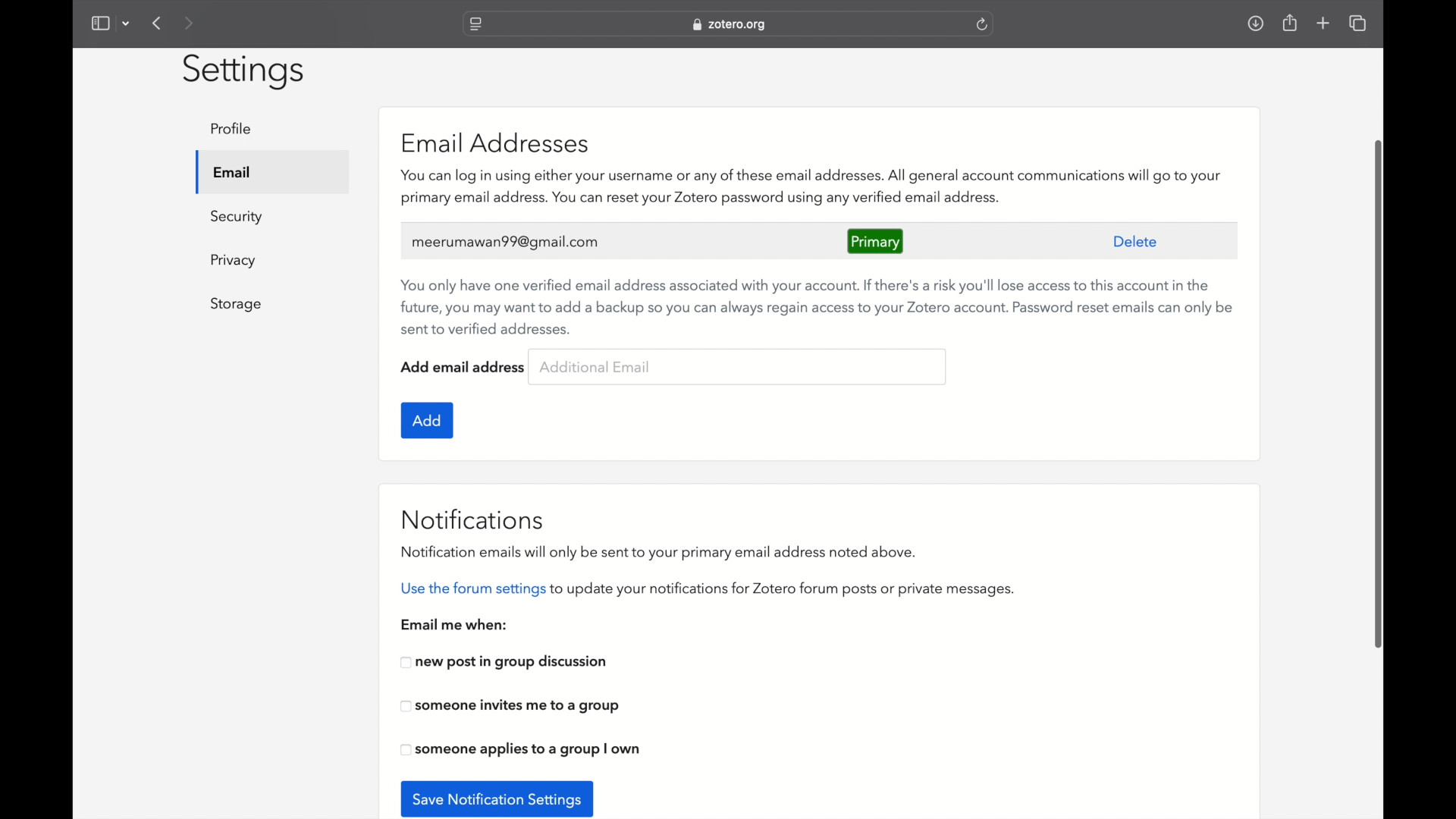 The height and width of the screenshot is (819, 1456). What do you see at coordinates (244, 71) in the screenshot?
I see `settings` at bounding box center [244, 71].